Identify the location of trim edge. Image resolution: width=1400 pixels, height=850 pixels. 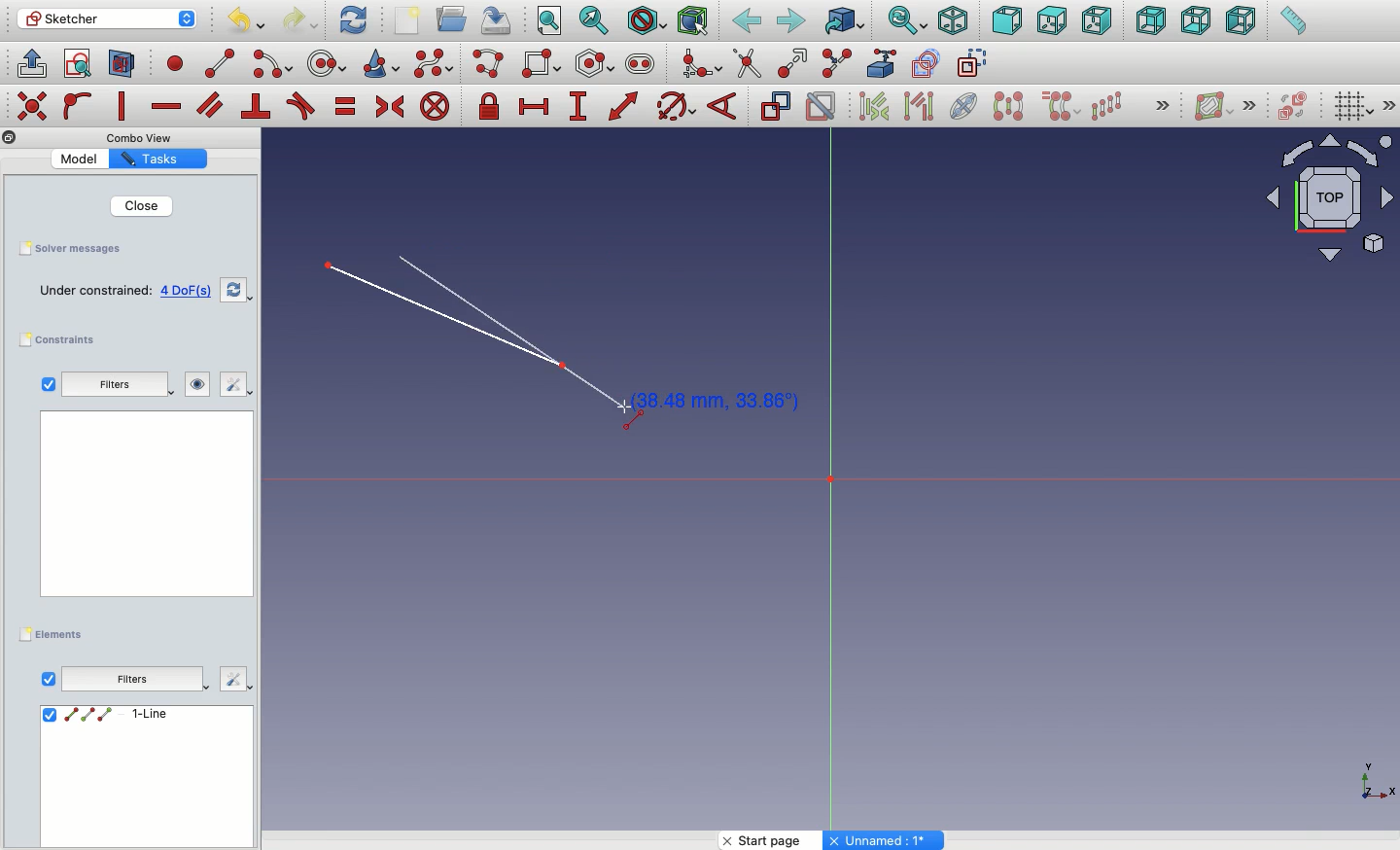
(747, 64).